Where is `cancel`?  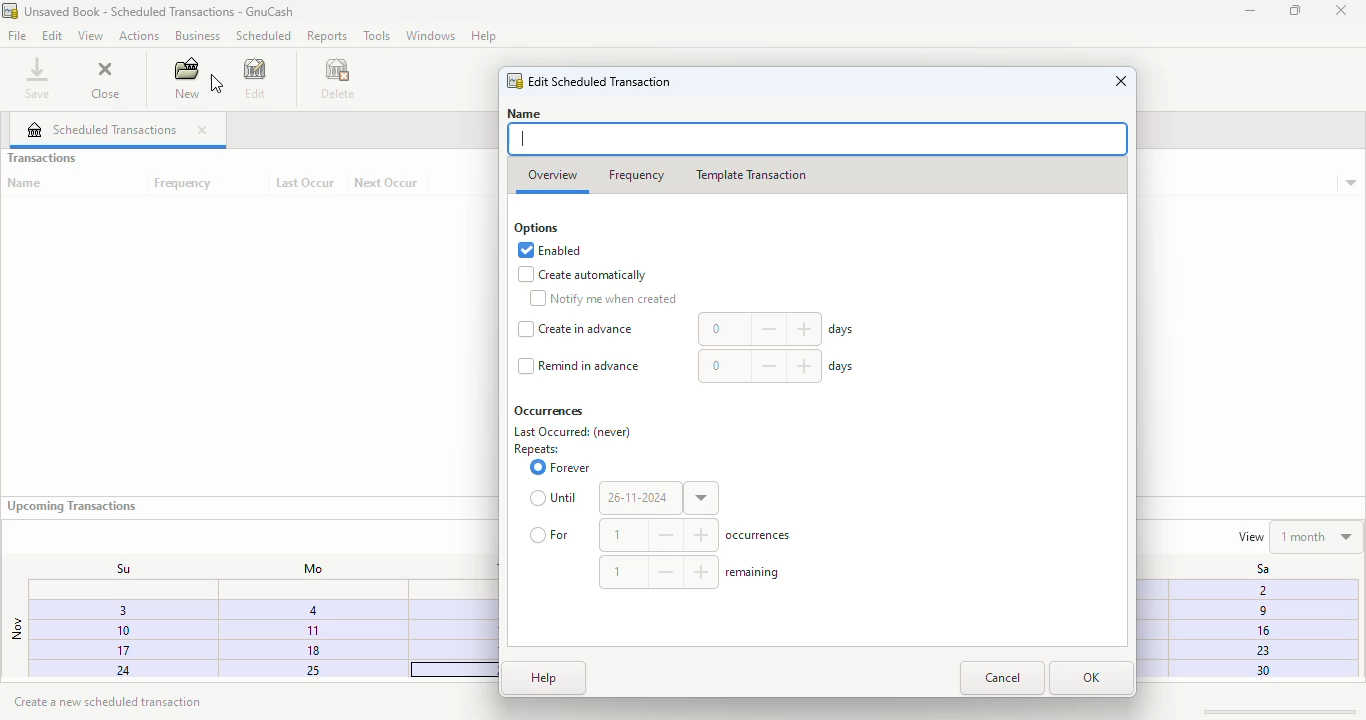 cancel is located at coordinates (1002, 678).